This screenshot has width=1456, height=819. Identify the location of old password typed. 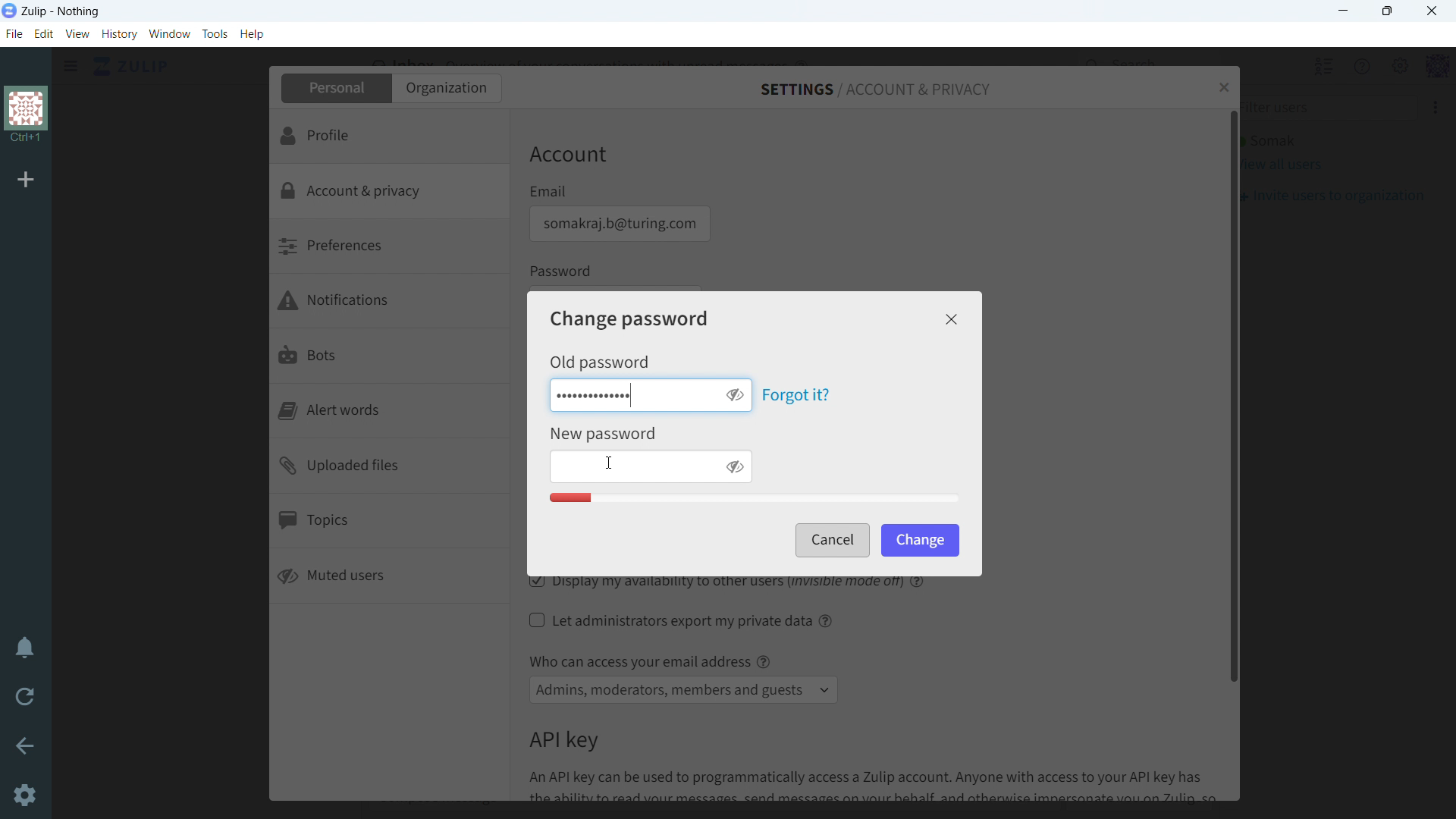
(599, 394).